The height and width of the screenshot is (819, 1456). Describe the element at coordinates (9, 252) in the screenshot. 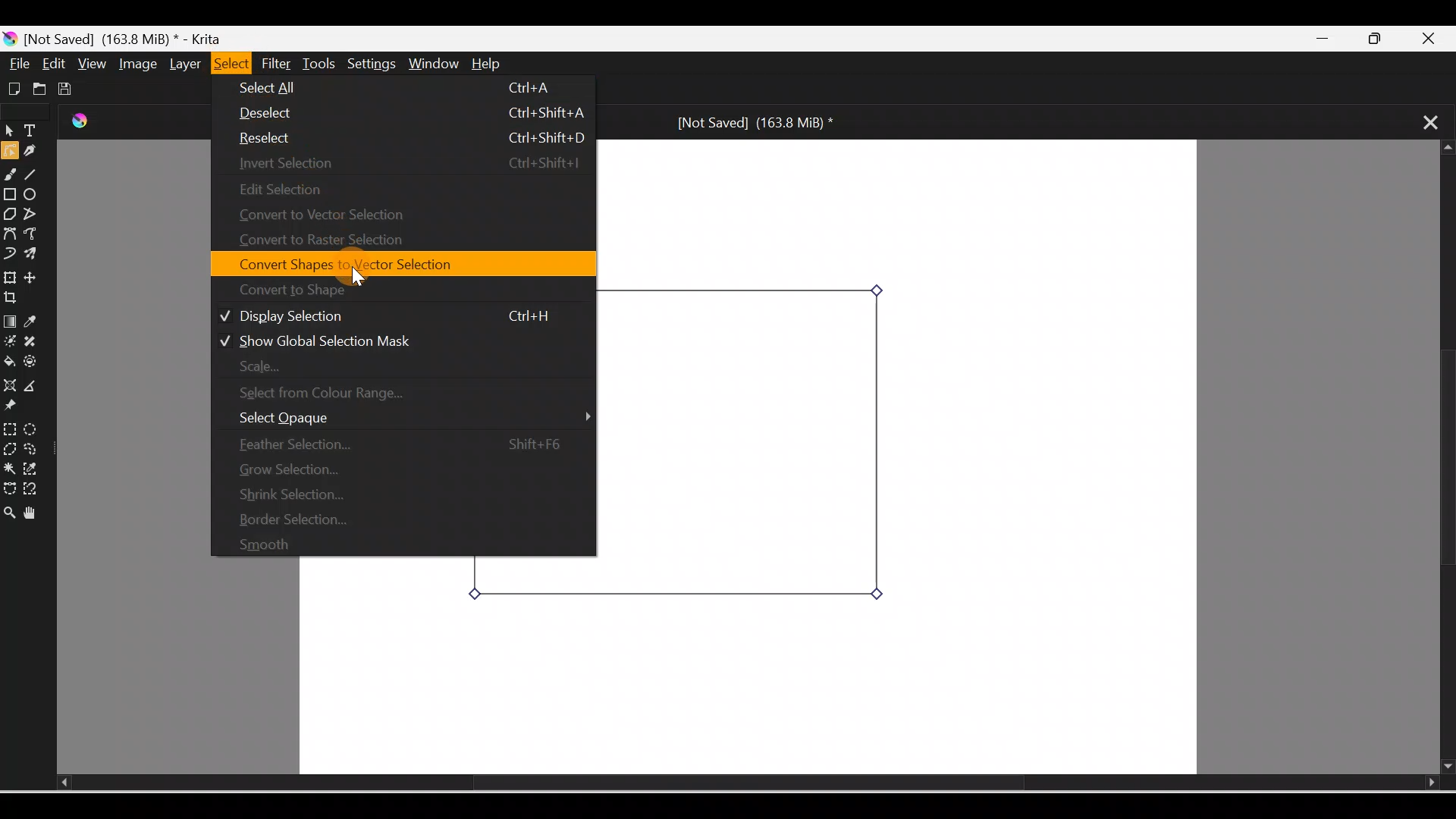

I see `Dynamic brush tool` at that location.